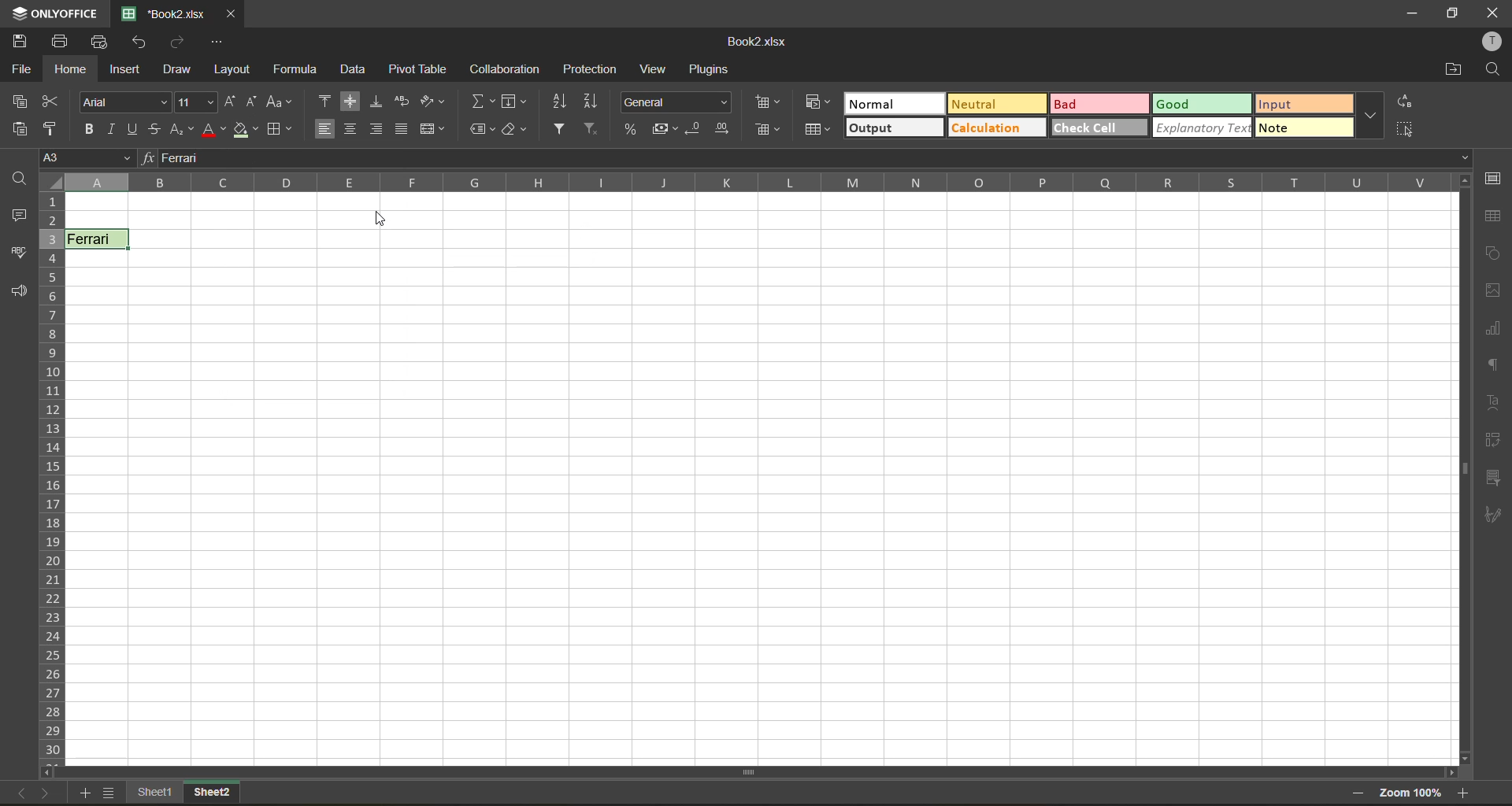  What do you see at coordinates (52, 100) in the screenshot?
I see `cut` at bounding box center [52, 100].